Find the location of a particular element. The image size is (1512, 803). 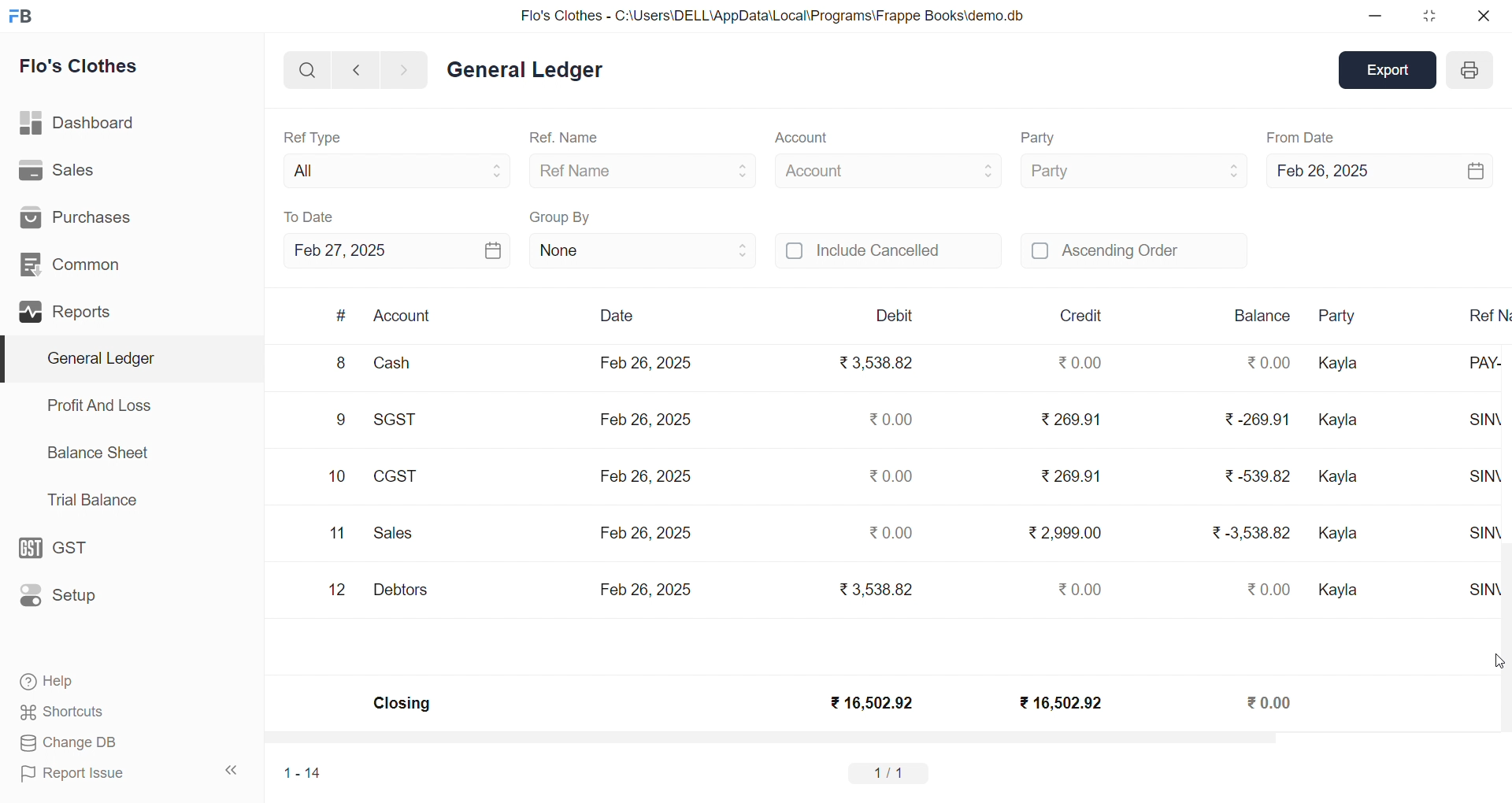

HORIZONTAL SCROLL BAR is located at coordinates (876, 740).